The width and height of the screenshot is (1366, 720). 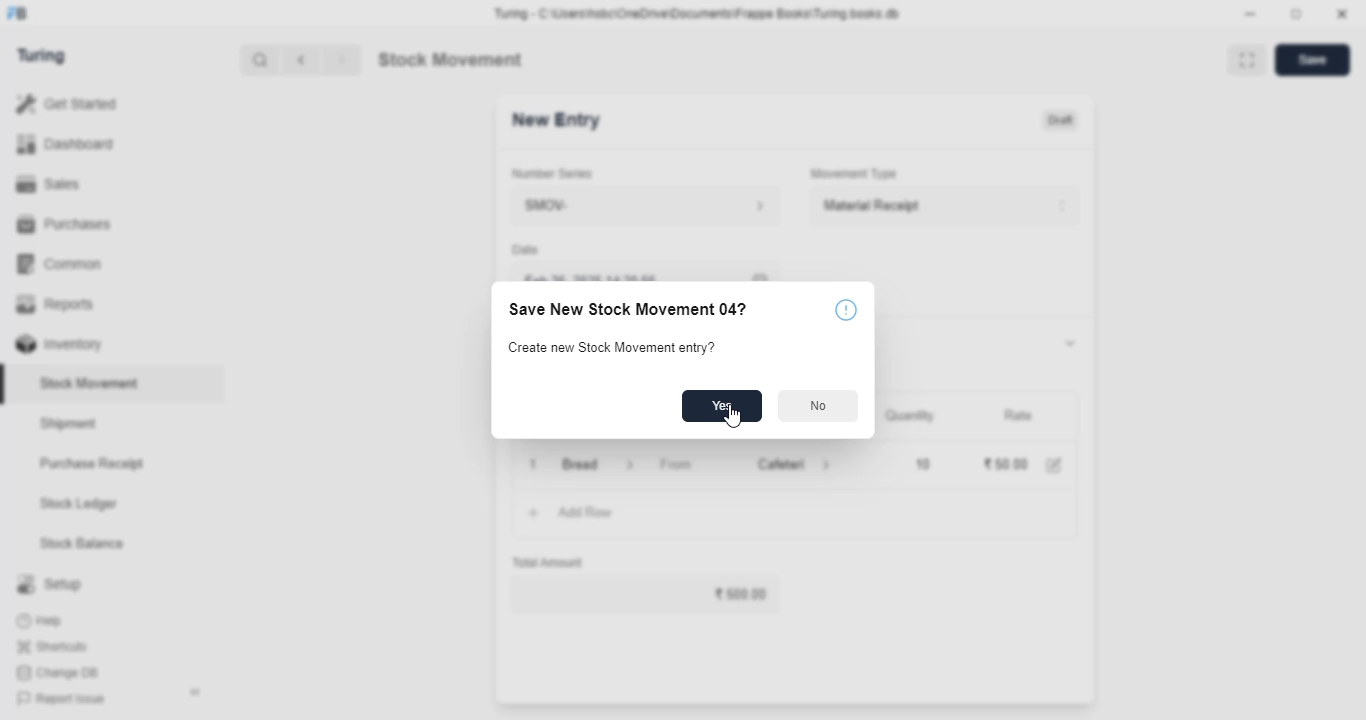 I want to click on FB-logo, so click(x=17, y=13).